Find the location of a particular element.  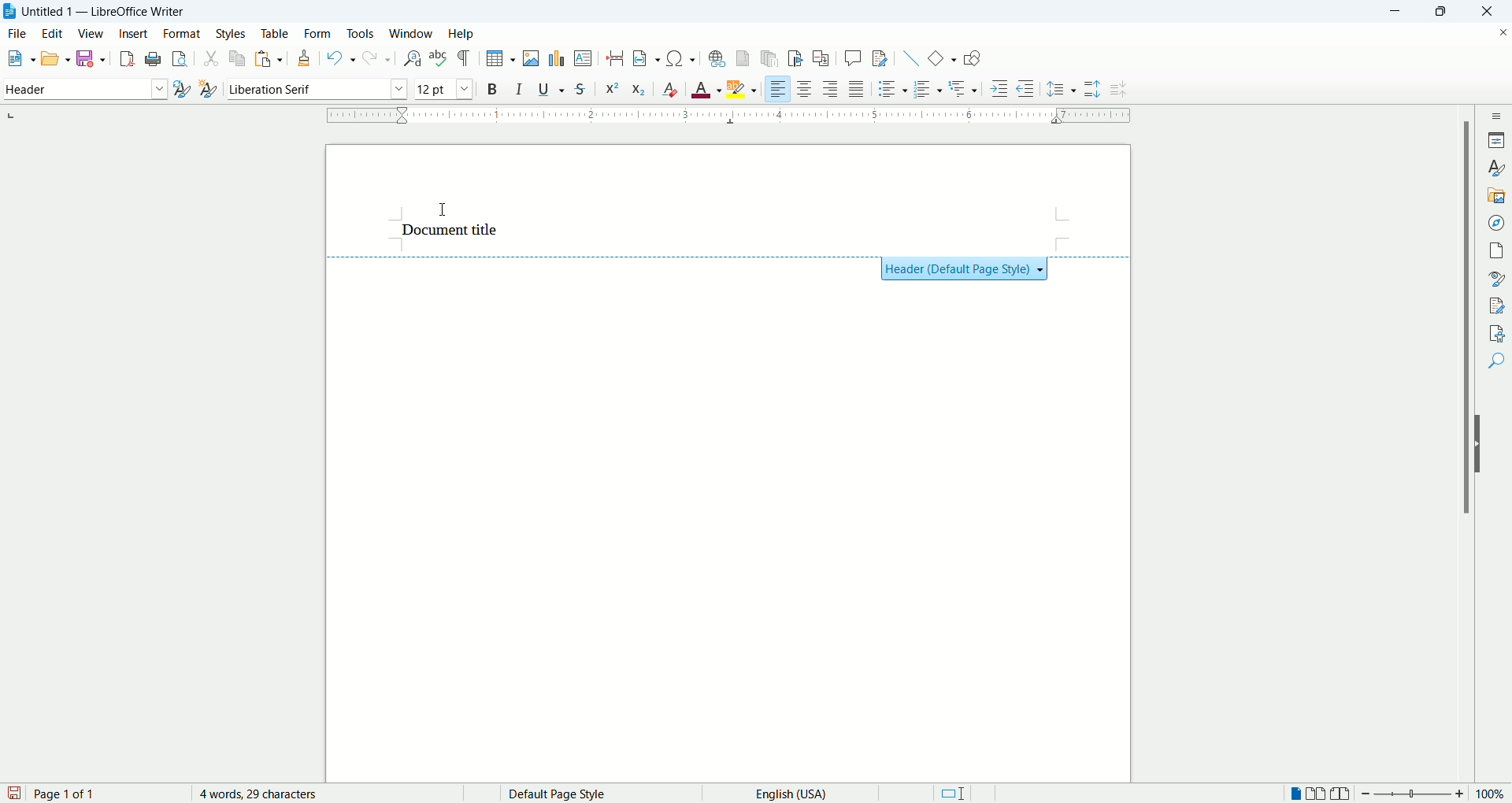

text language is located at coordinates (815, 793).